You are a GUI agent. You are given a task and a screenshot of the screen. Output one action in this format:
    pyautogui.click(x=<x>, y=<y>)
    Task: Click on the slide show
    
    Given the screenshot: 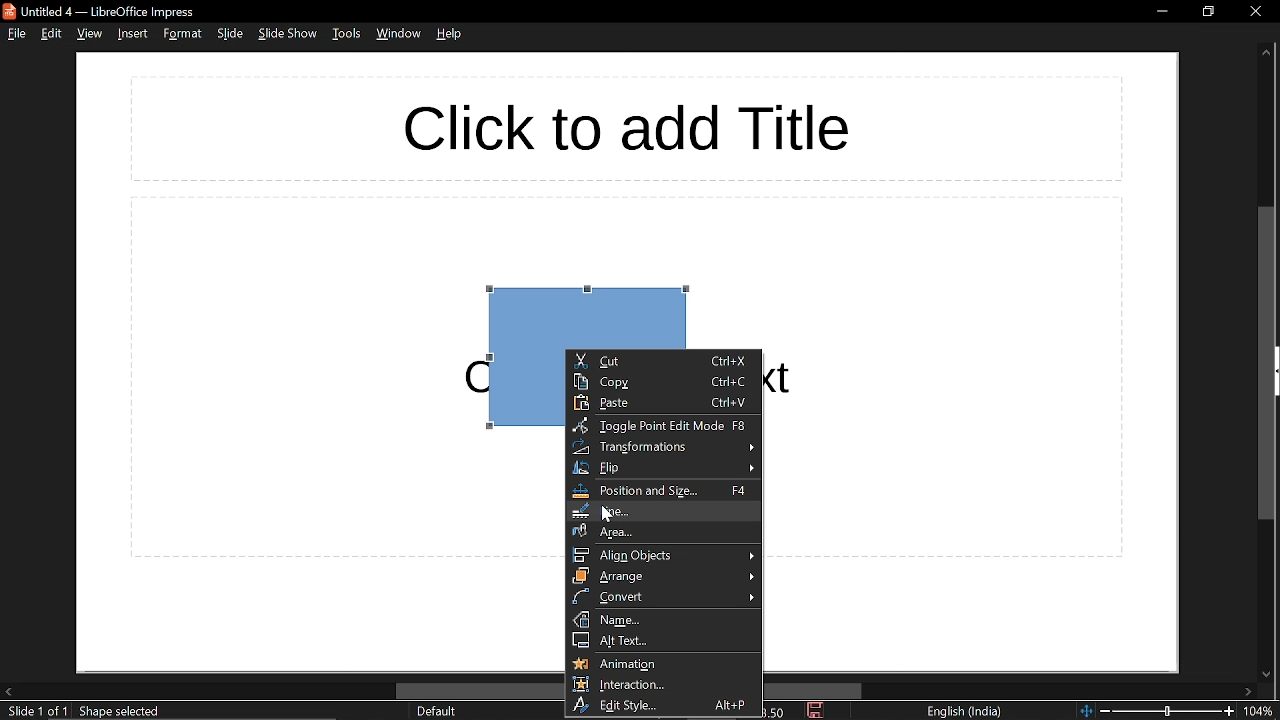 What is the action you would take?
    pyautogui.click(x=286, y=34)
    